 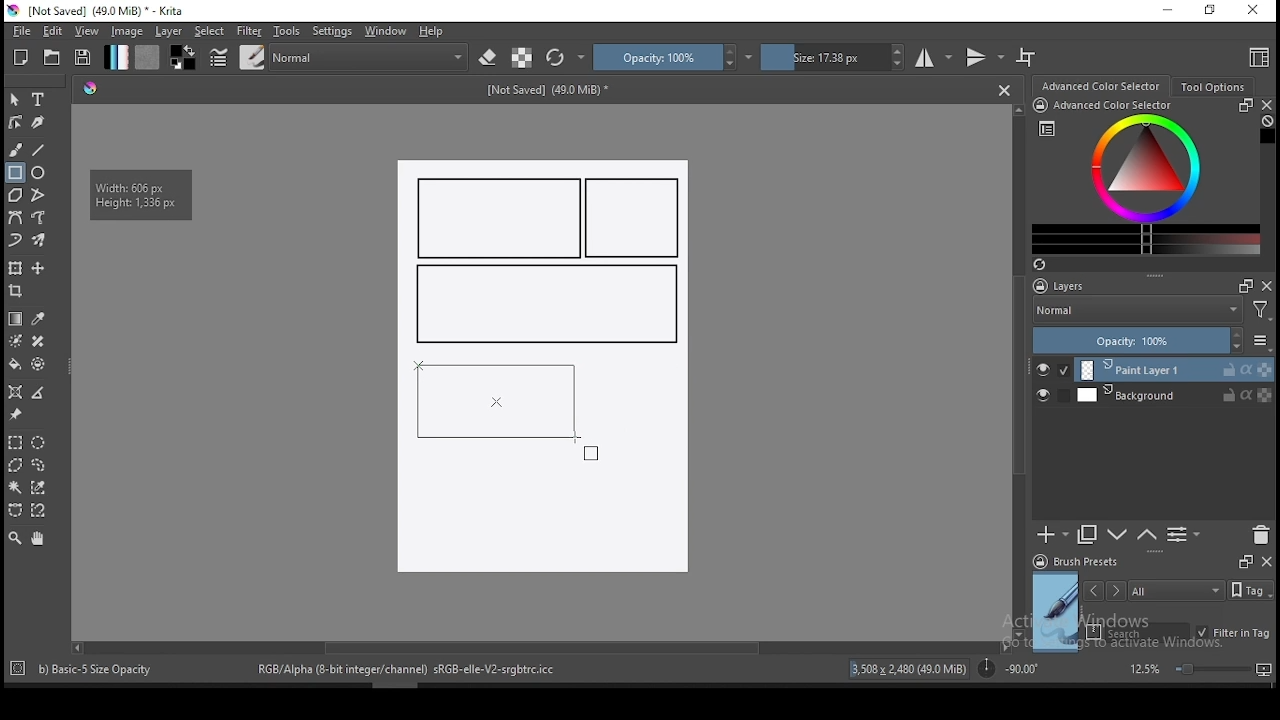 I want to click on windows, so click(x=386, y=31).